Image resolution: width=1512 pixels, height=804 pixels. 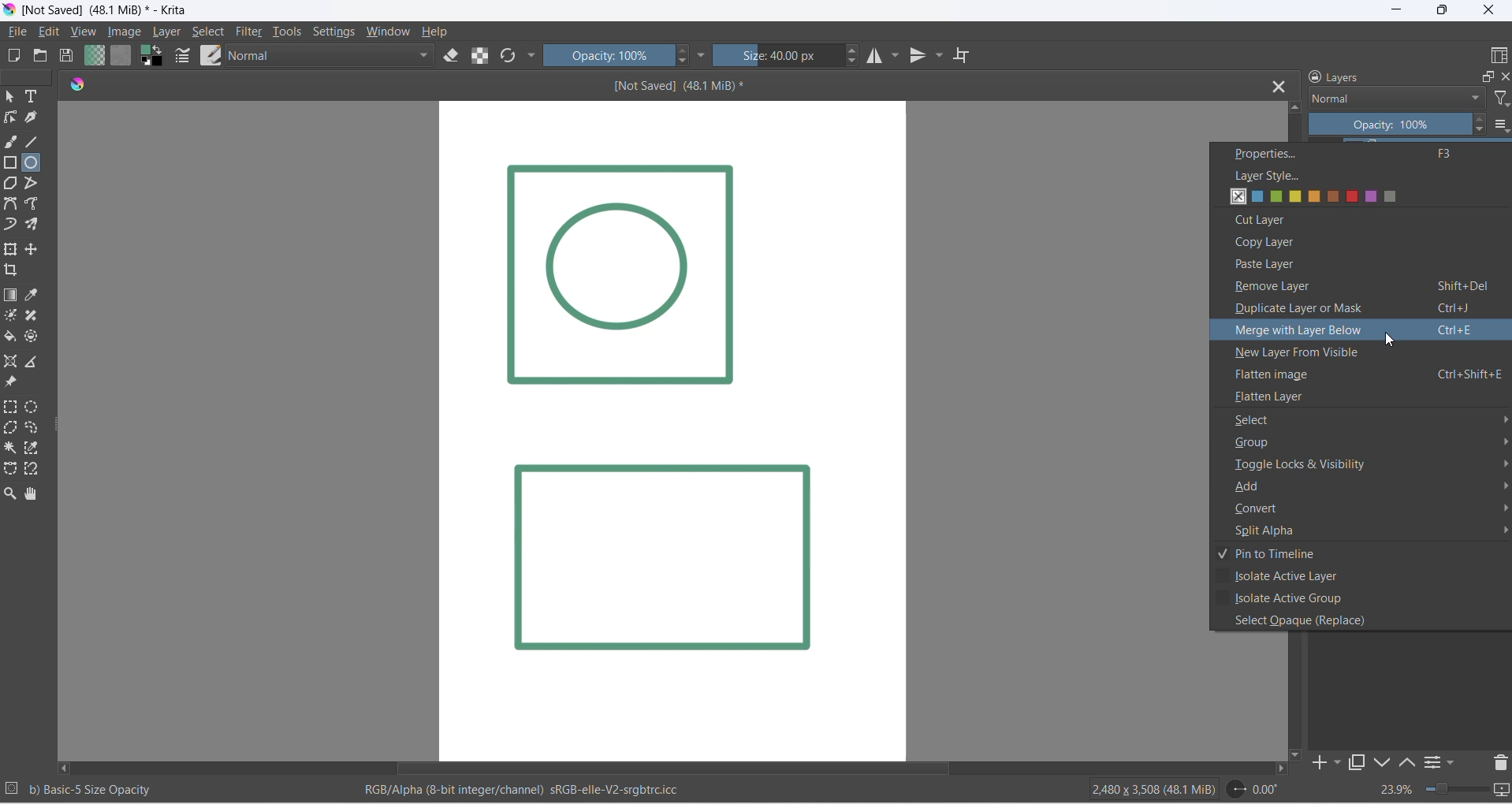 What do you see at coordinates (210, 56) in the screenshot?
I see `brush preset` at bounding box center [210, 56].